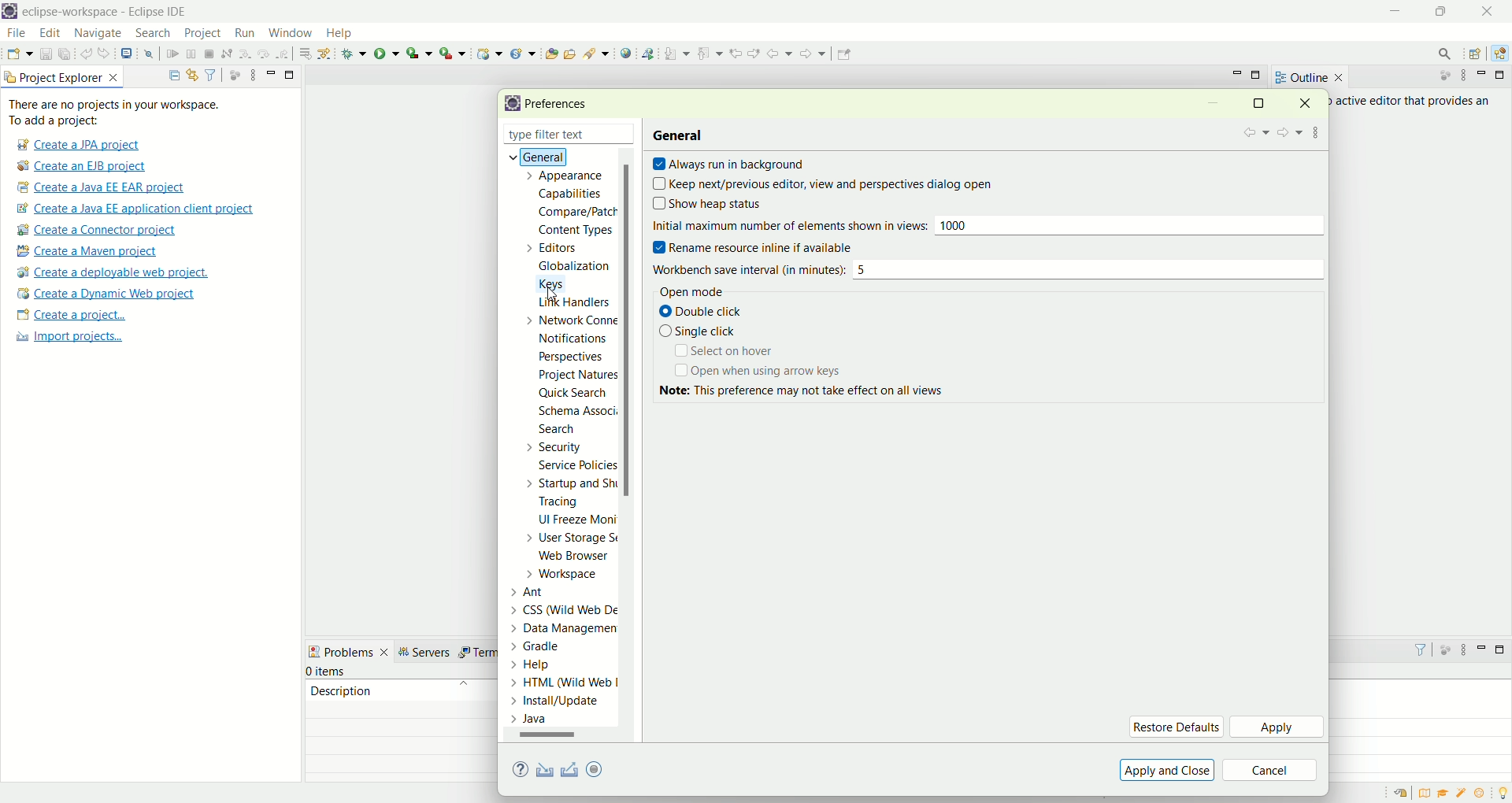 Image resolution: width=1512 pixels, height=803 pixels. What do you see at coordinates (760, 372) in the screenshot?
I see `open when using arrow keys` at bounding box center [760, 372].